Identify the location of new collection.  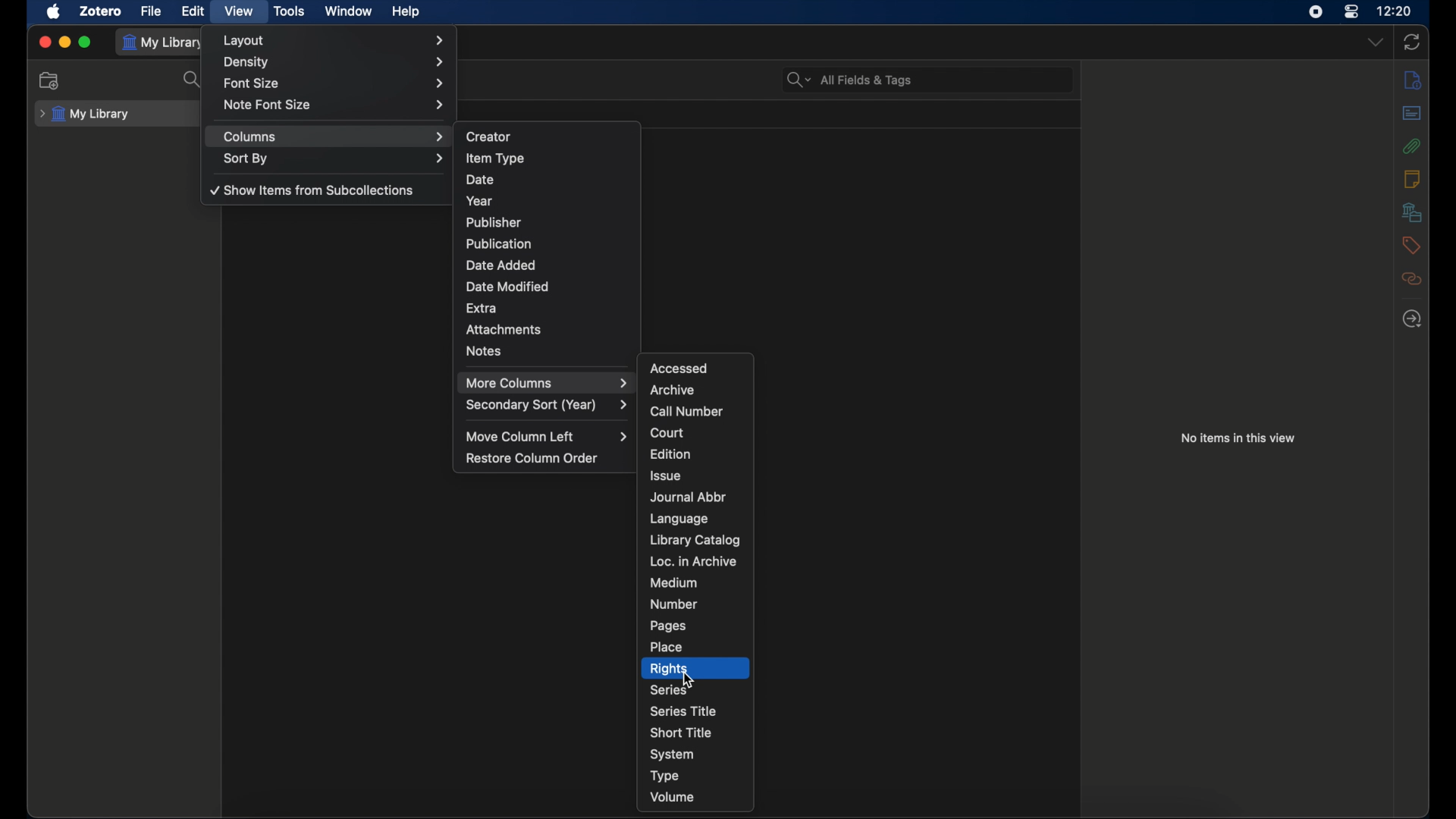
(49, 80).